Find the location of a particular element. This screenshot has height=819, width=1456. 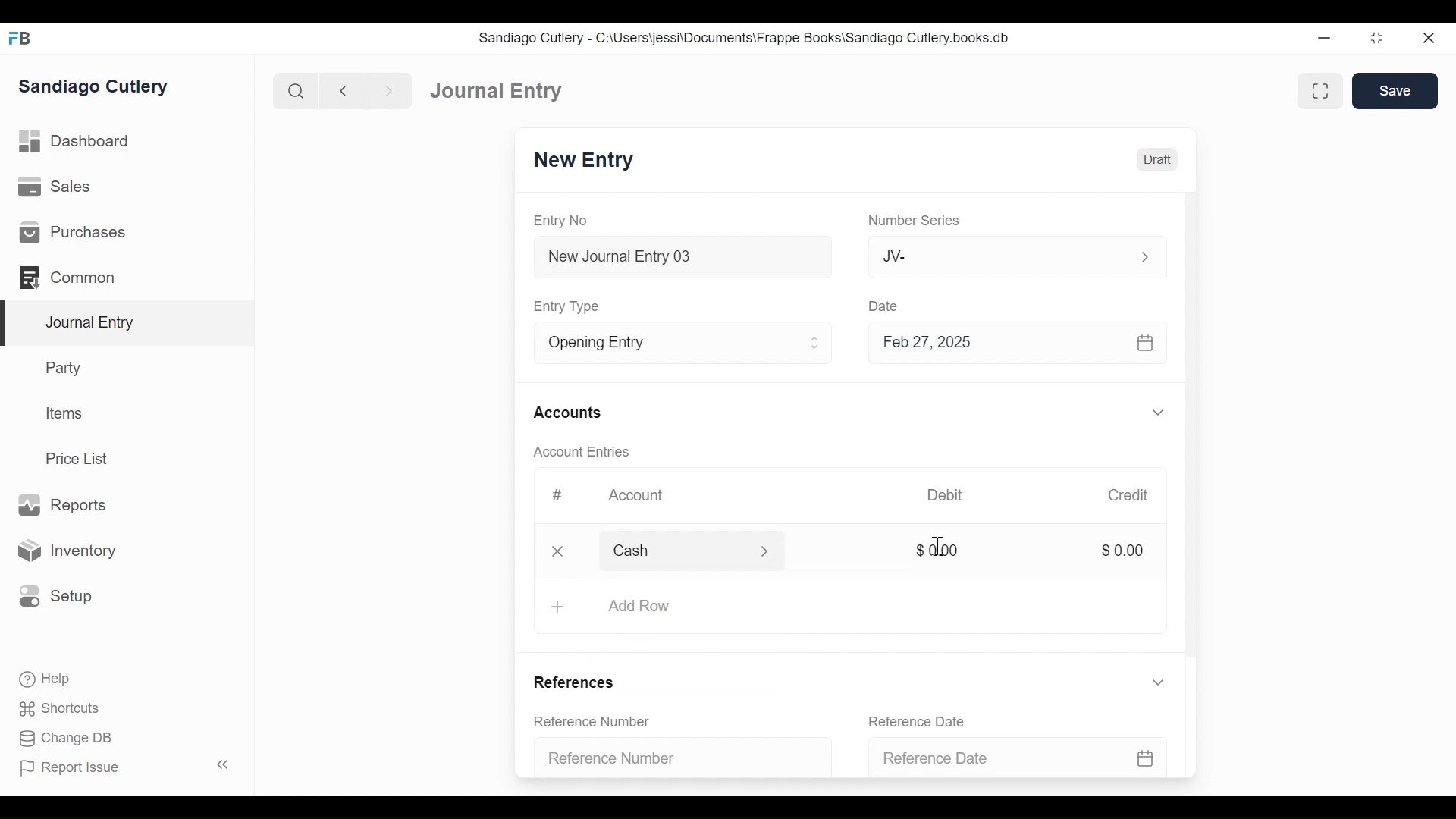

Entry No is located at coordinates (560, 221).